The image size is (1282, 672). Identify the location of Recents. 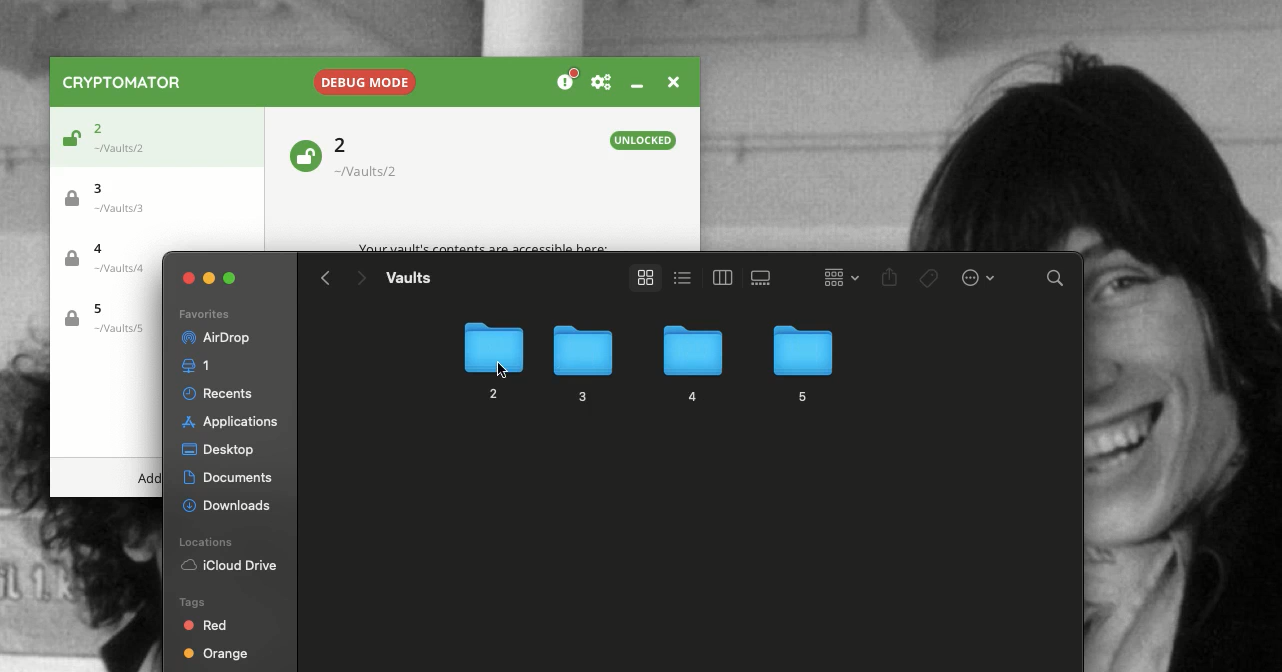
(221, 393).